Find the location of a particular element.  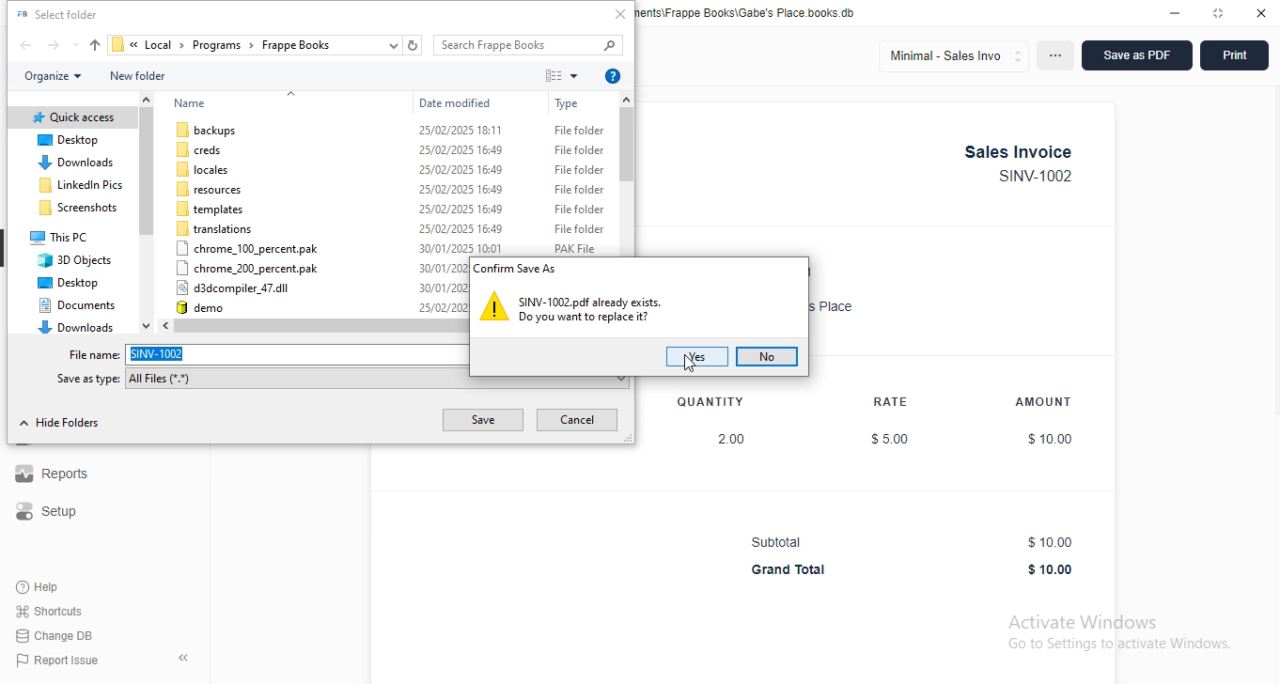

frappe books is located at coordinates (295, 45).